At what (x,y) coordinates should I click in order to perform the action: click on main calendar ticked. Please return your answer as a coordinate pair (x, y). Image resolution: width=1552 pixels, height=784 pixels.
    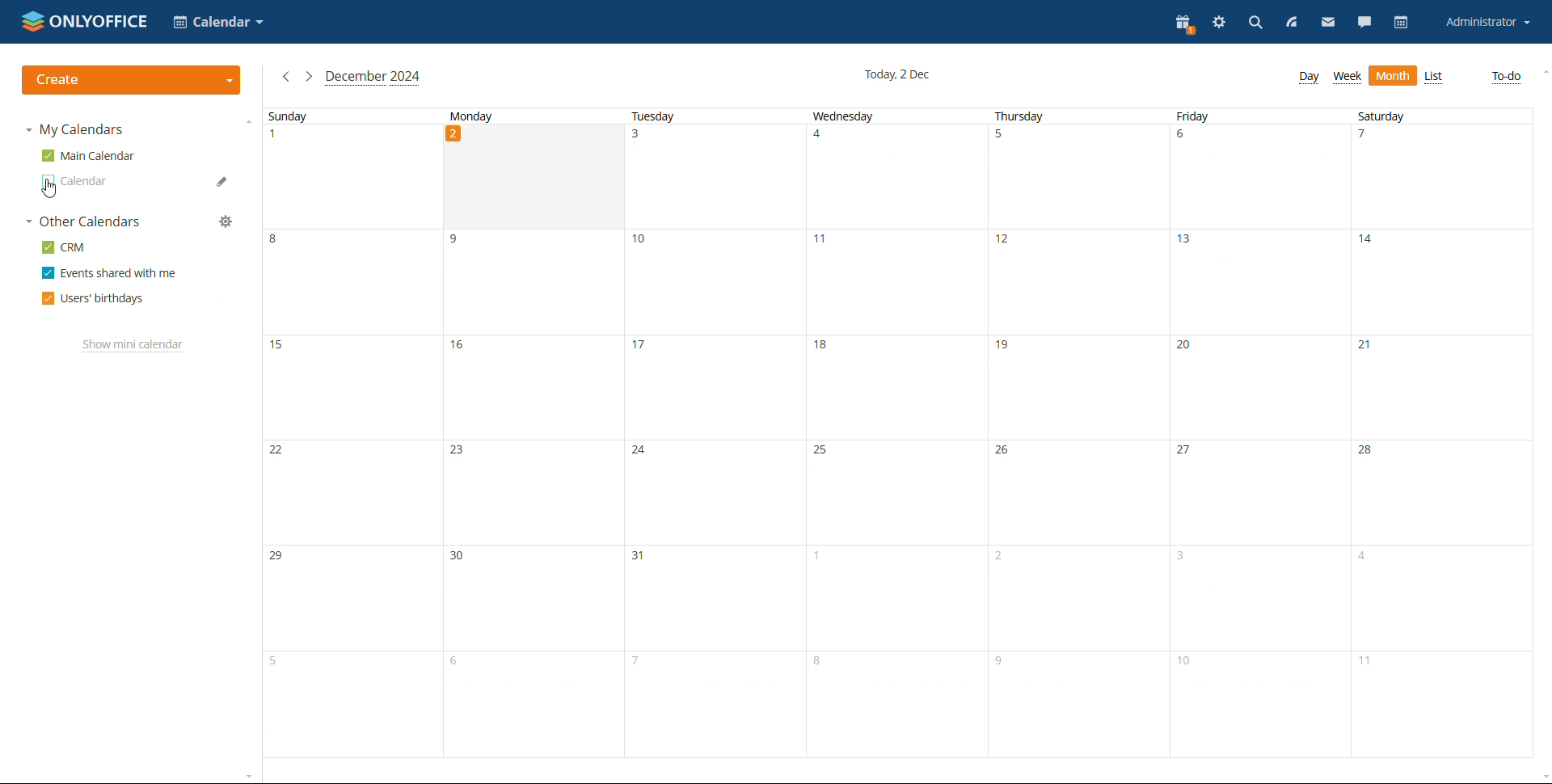
    Looking at the image, I should click on (91, 156).